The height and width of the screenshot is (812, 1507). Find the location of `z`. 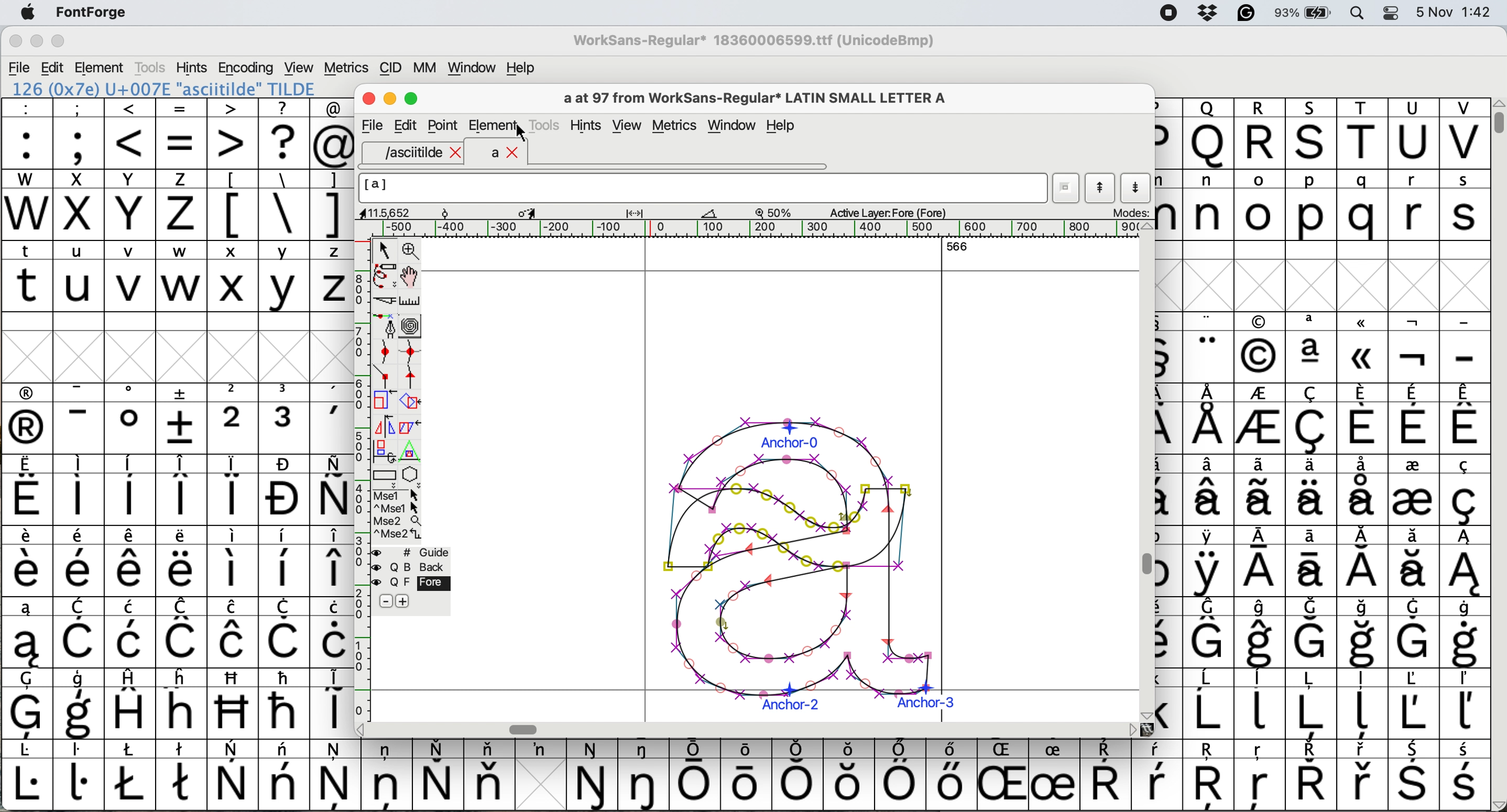

z is located at coordinates (332, 276).